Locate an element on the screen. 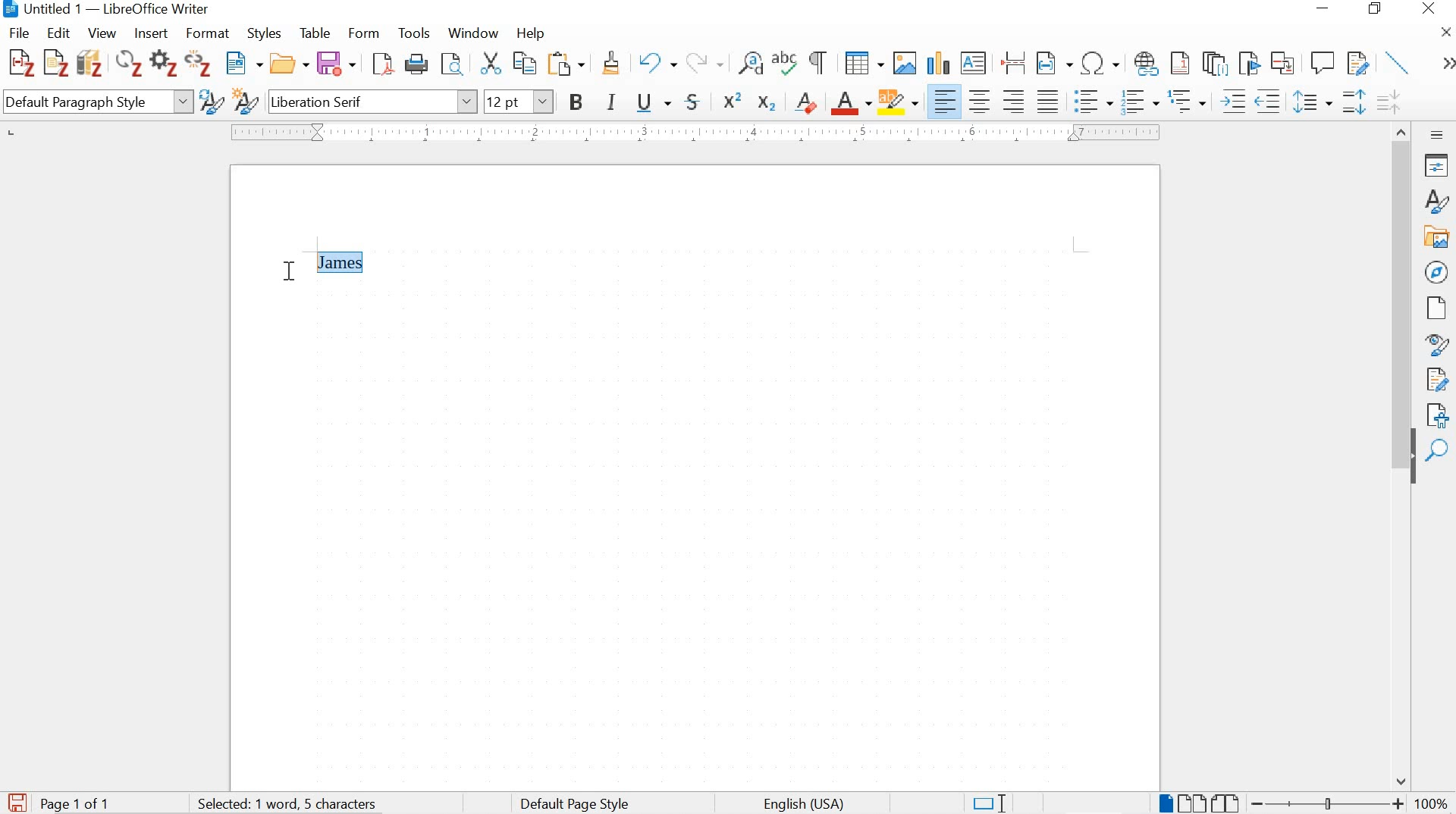 Image resolution: width=1456 pixels, height=814 pixels. single page view is located at coordinates (1164, 803).